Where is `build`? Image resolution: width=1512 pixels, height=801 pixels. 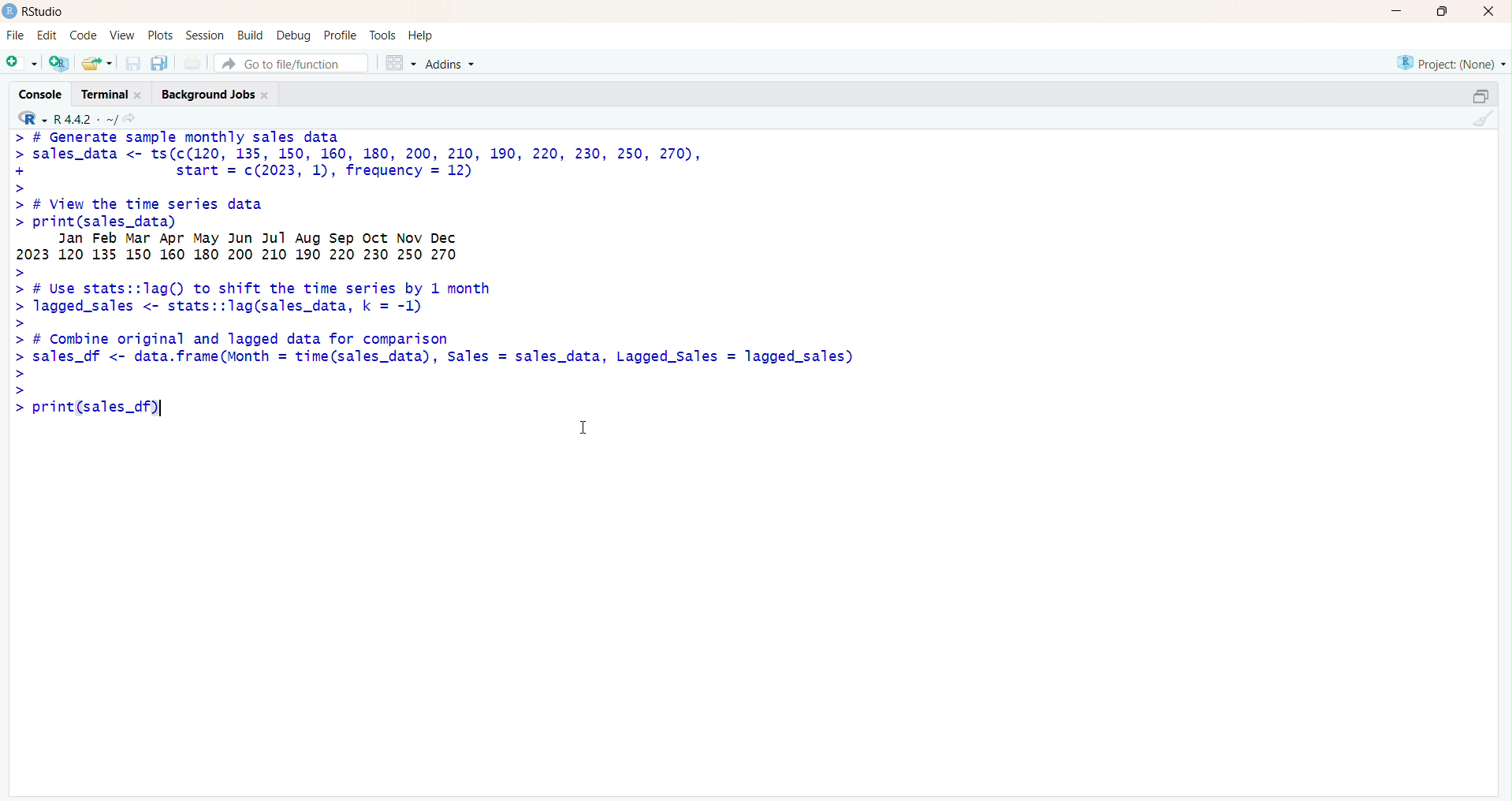
build is located at coordinates (251, 35).